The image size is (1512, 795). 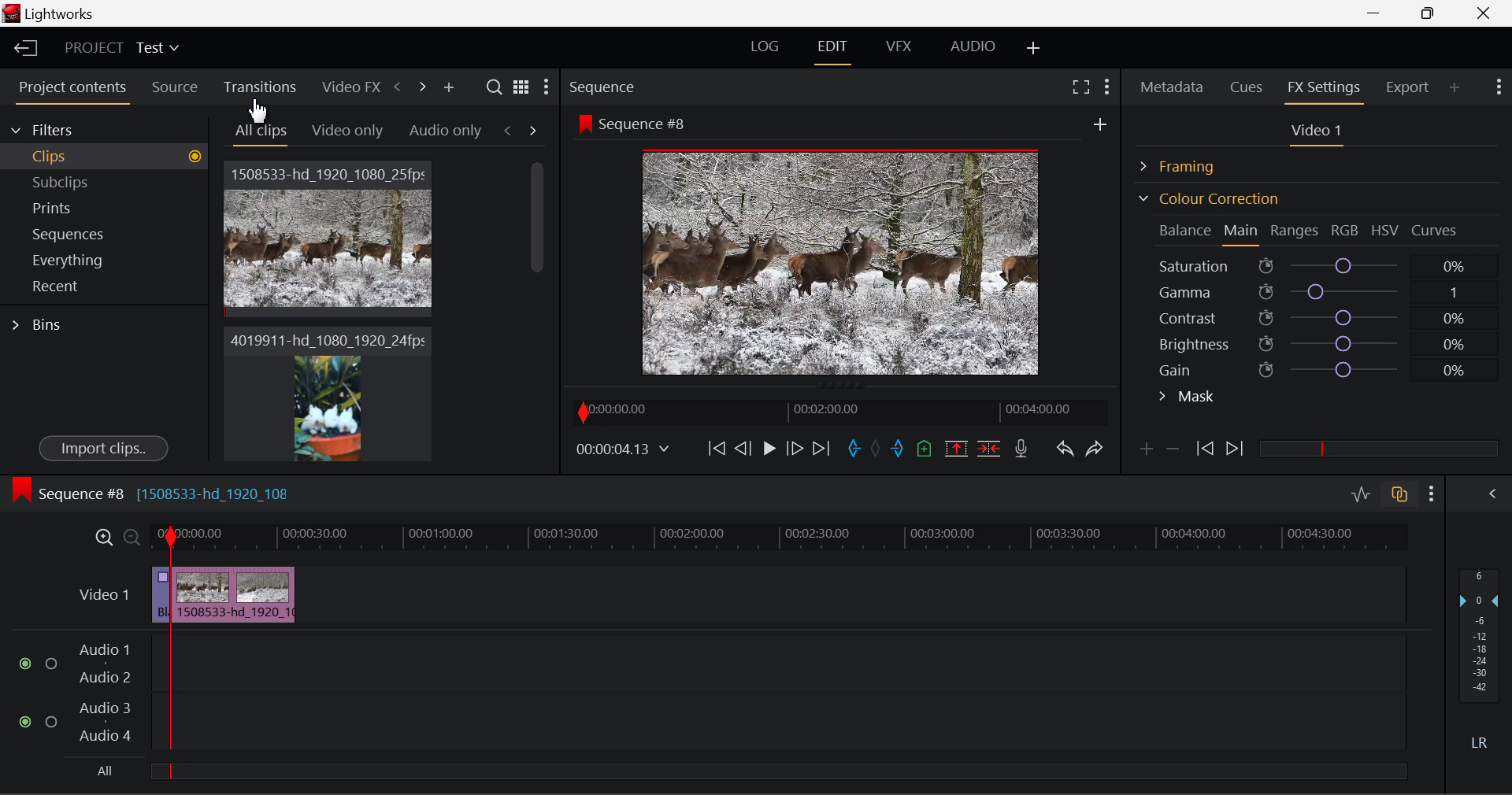 What do you see at coordinates (606, 88) in the screenshot?
I see `Sequence Preview Section` at bounding box center [606, 88].